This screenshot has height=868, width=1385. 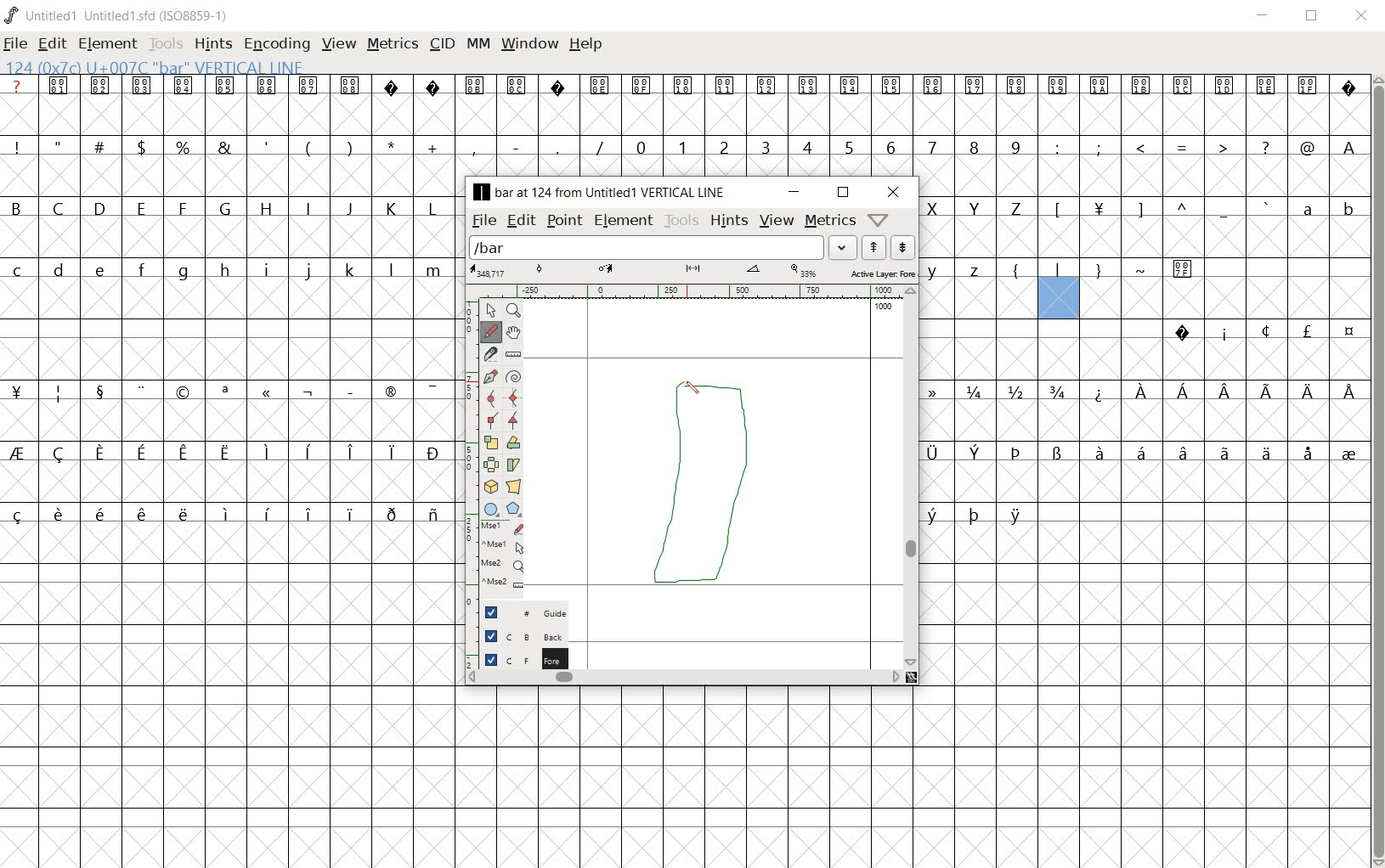 What do you see at coordinates (1145, 360) in the screenshot?
I see `empty cells` at bounding box center [1145, 360].